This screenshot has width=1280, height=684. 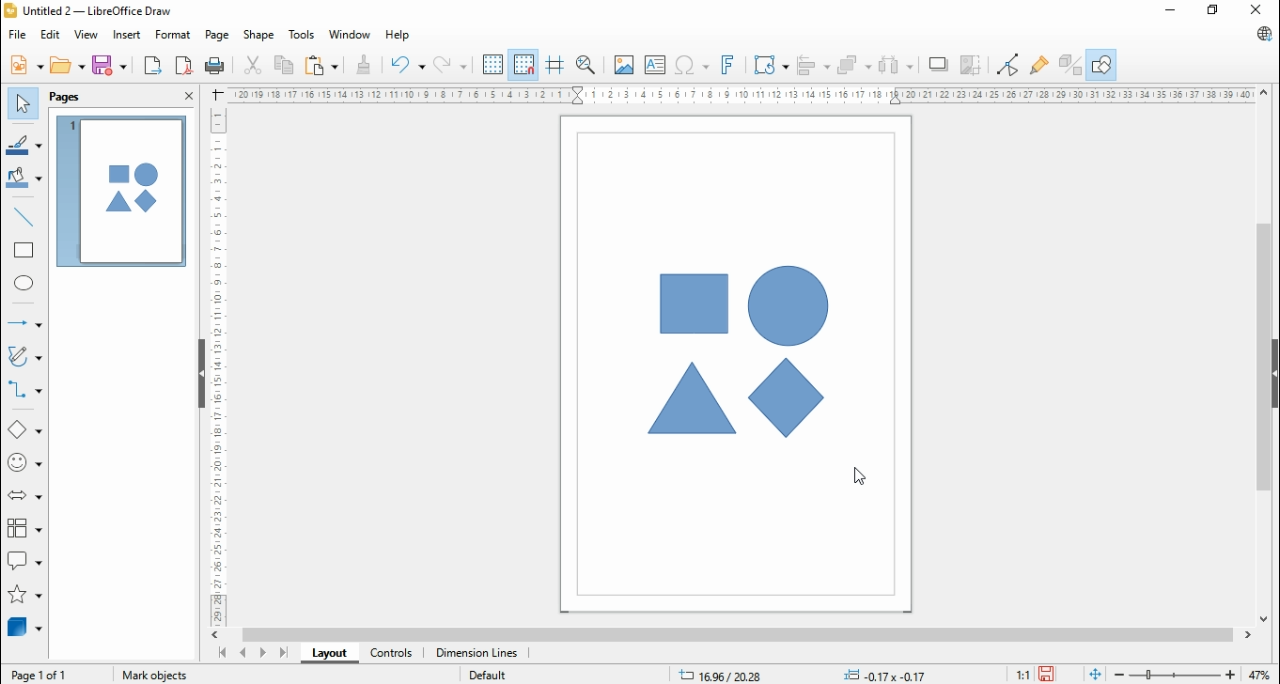 What do you see at coordinates (27, 65) in the screenshot?
I see `new` at bounding box center [27, 65].